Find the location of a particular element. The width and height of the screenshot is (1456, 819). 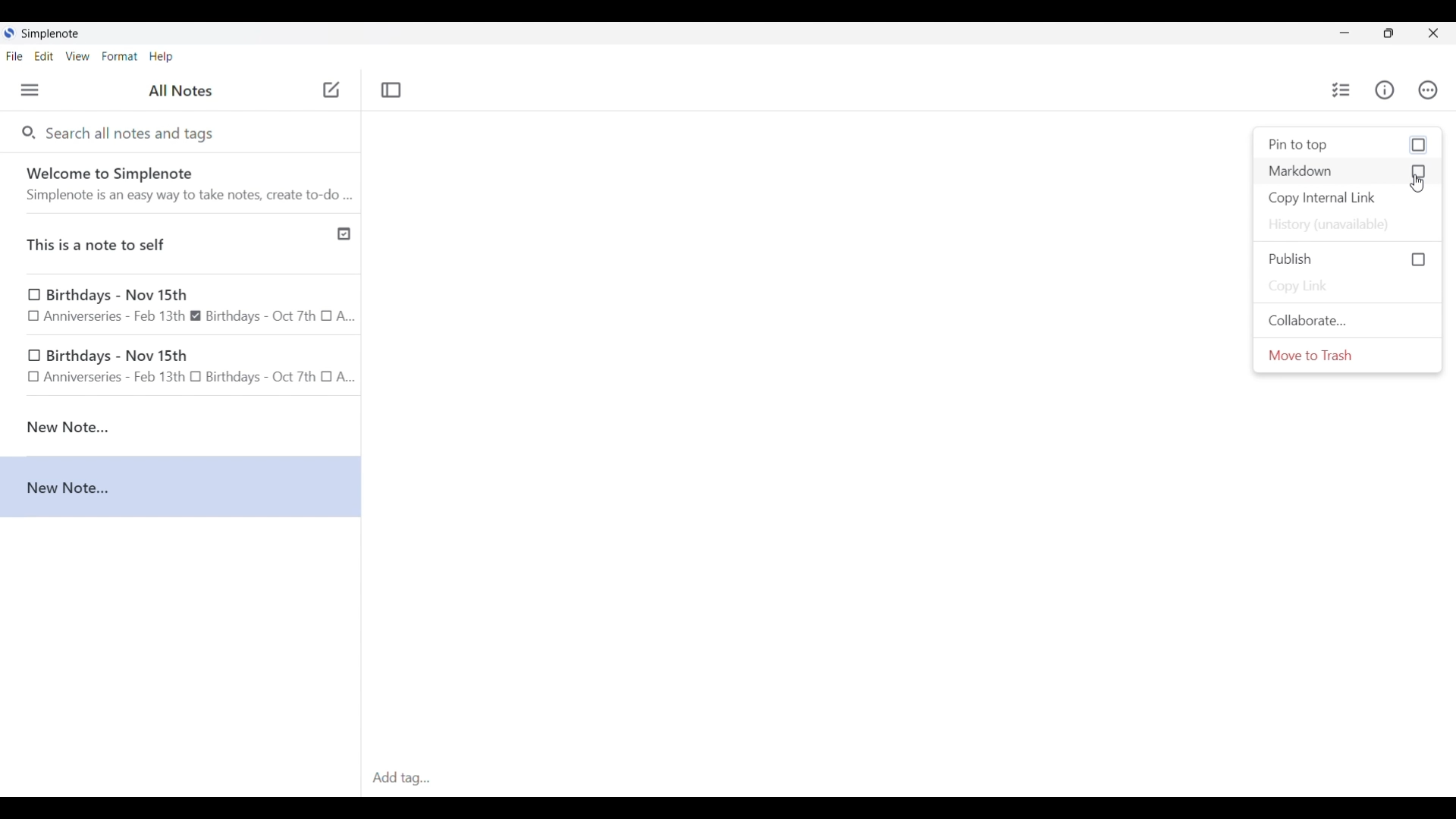

Click to pin current note to the top is located at coordinates (1347, 145).